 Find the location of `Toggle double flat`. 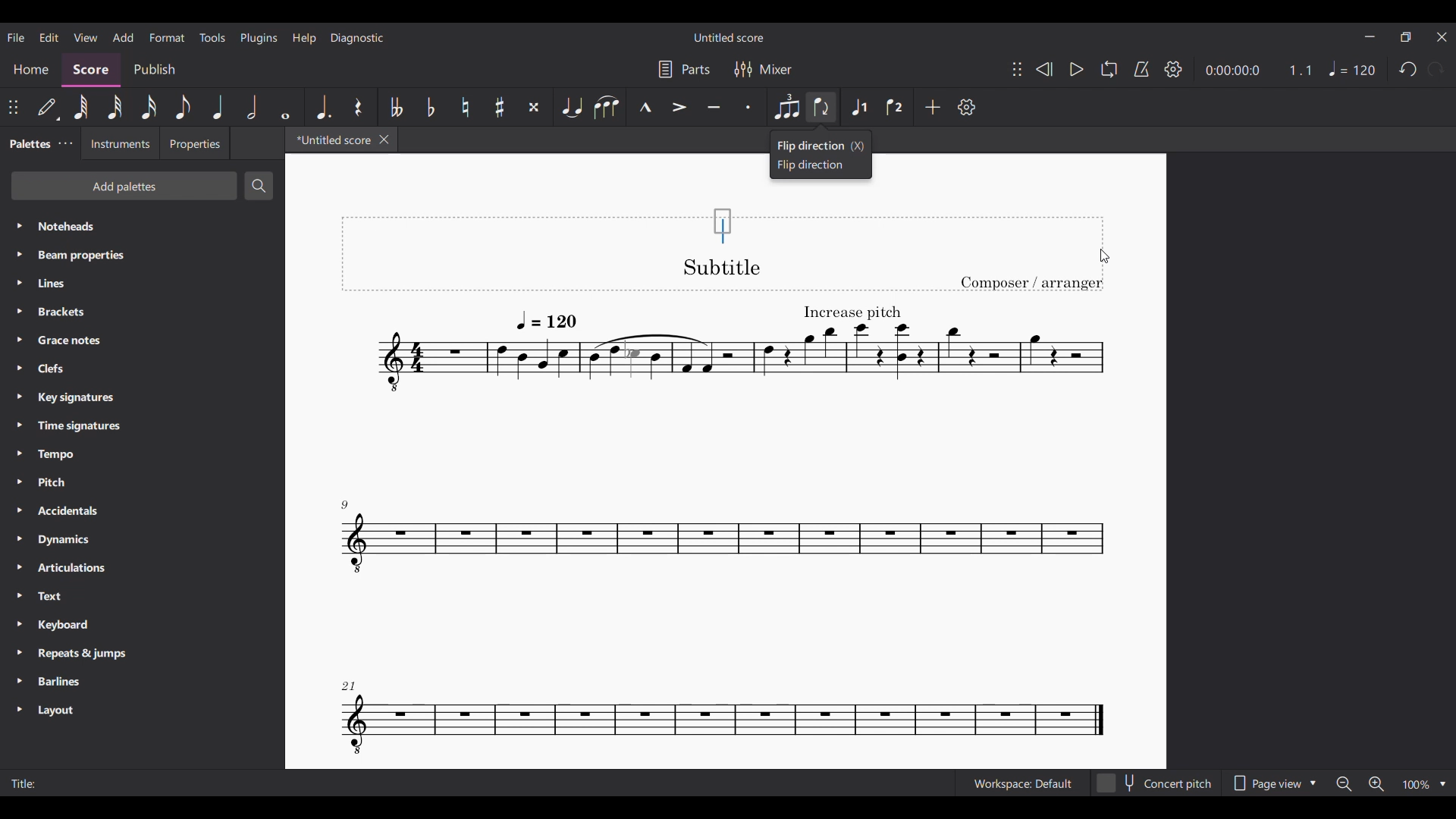

Toggle double flat is located at coordinates (394, 106).